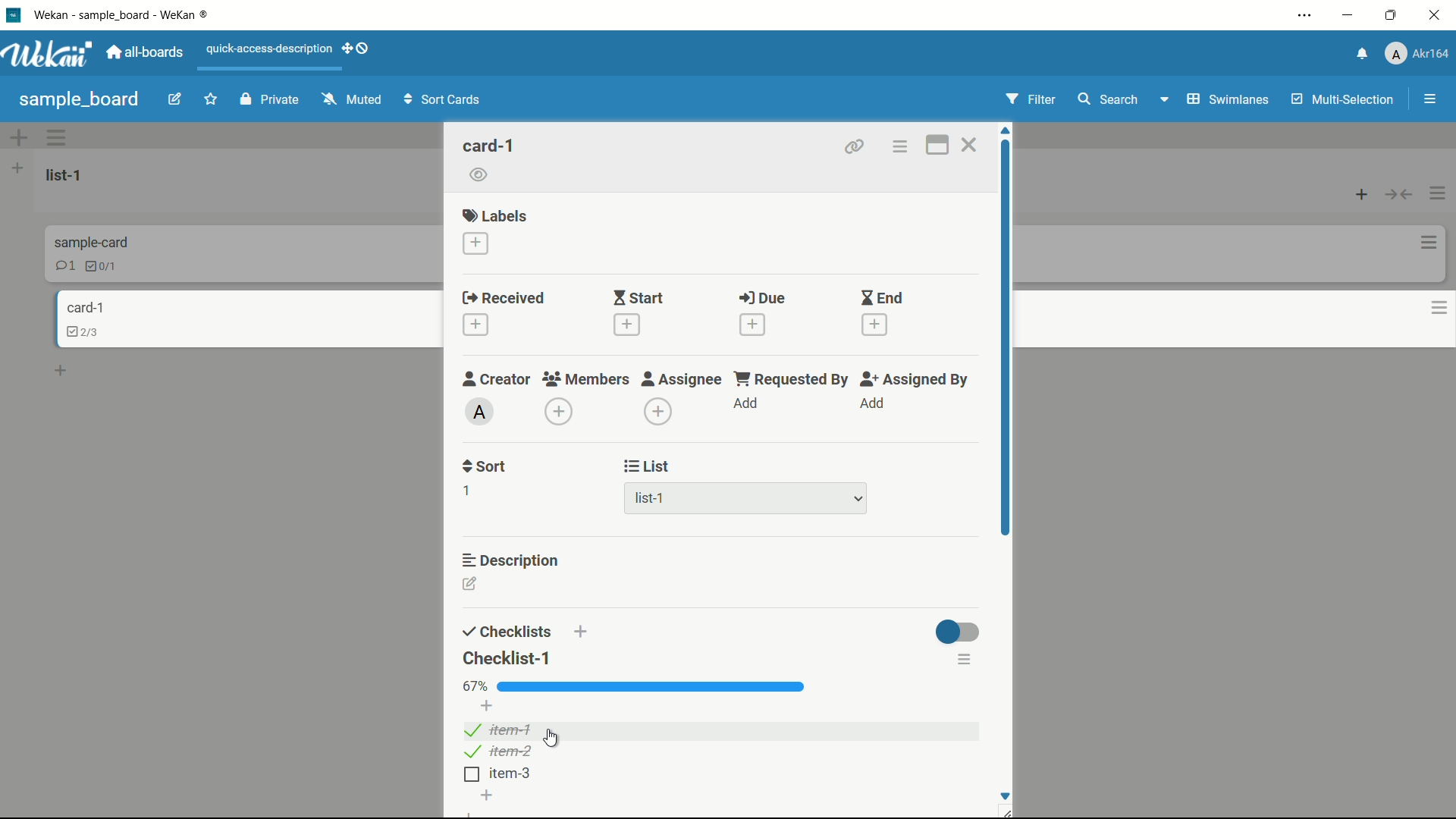 This screenshot has width=1456, height=819. What do you see at coordinates (579, 633) in the screenshot?
I see `add checklist` at bounding box center [579, 633].